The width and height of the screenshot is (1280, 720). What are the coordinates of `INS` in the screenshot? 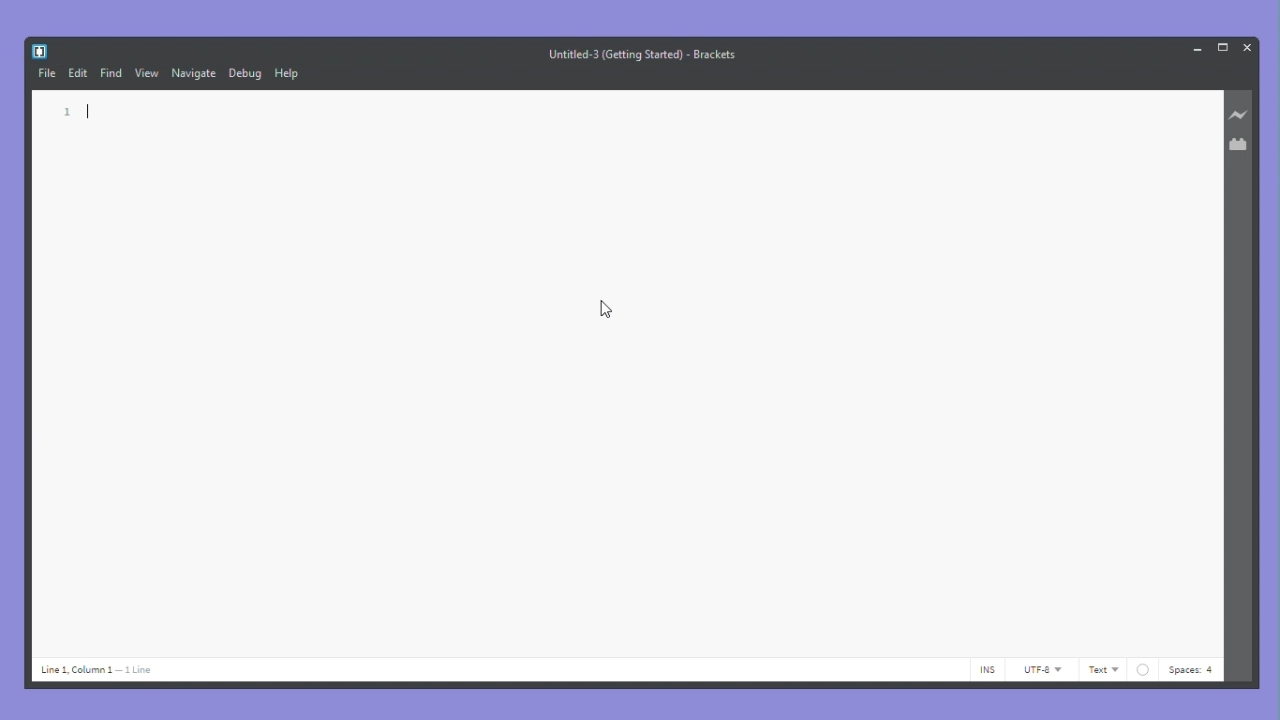 It's located at (988, 671).